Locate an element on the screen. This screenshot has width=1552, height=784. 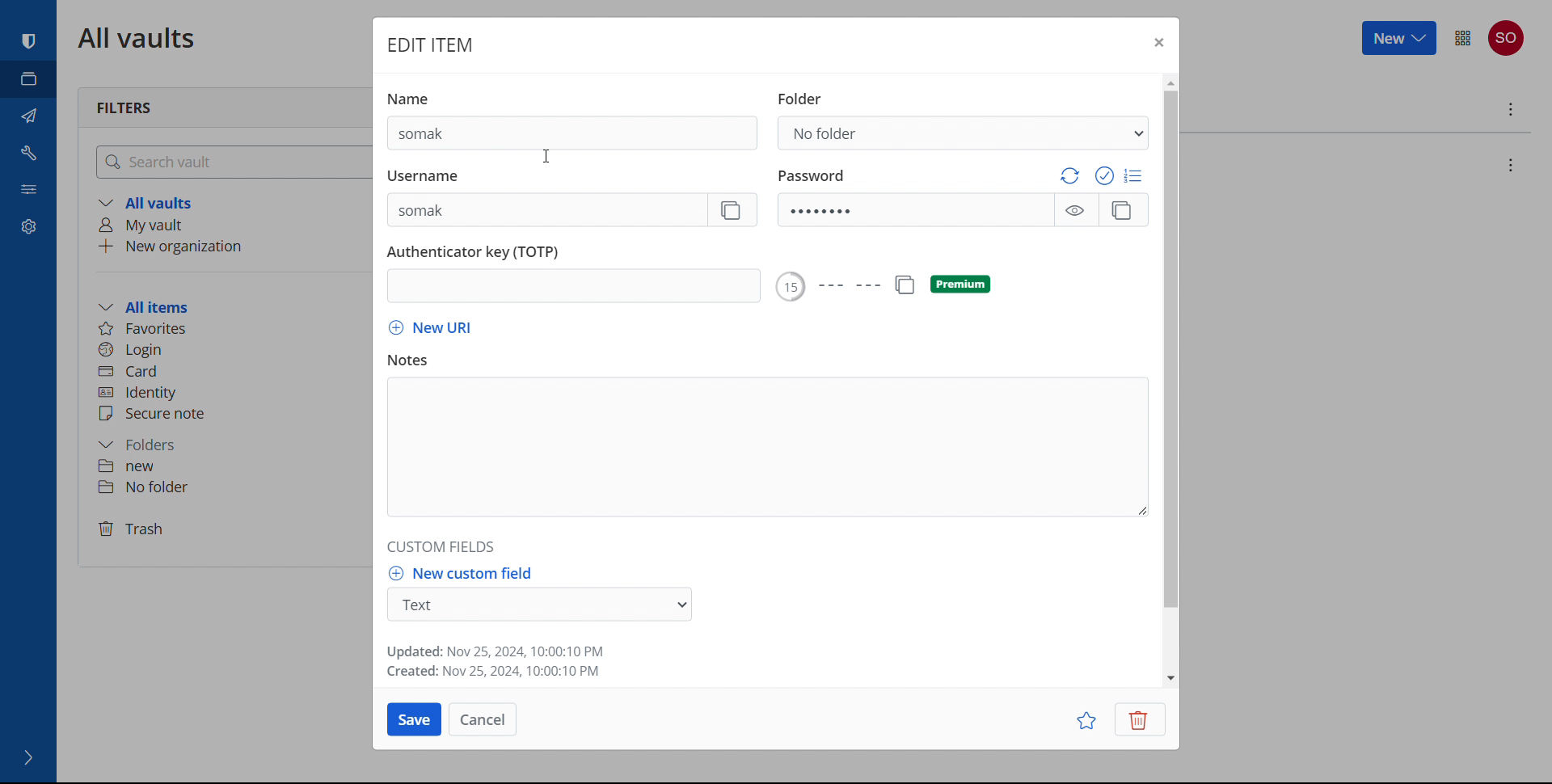
trash is located at coordinates (230, 531).